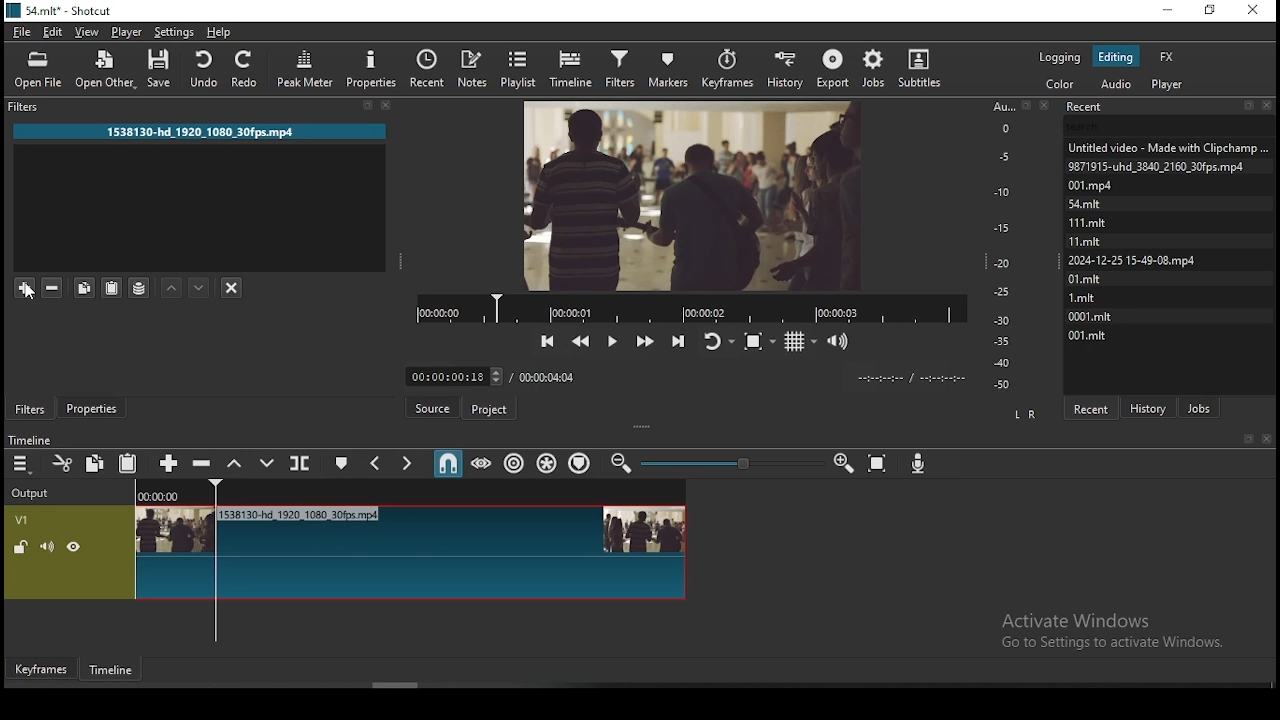 The height and width of the screenshot is (720, 1280). Describe the element at coordinates (482, 465) in the screenshot. I see `scrub while dragging` at that location.